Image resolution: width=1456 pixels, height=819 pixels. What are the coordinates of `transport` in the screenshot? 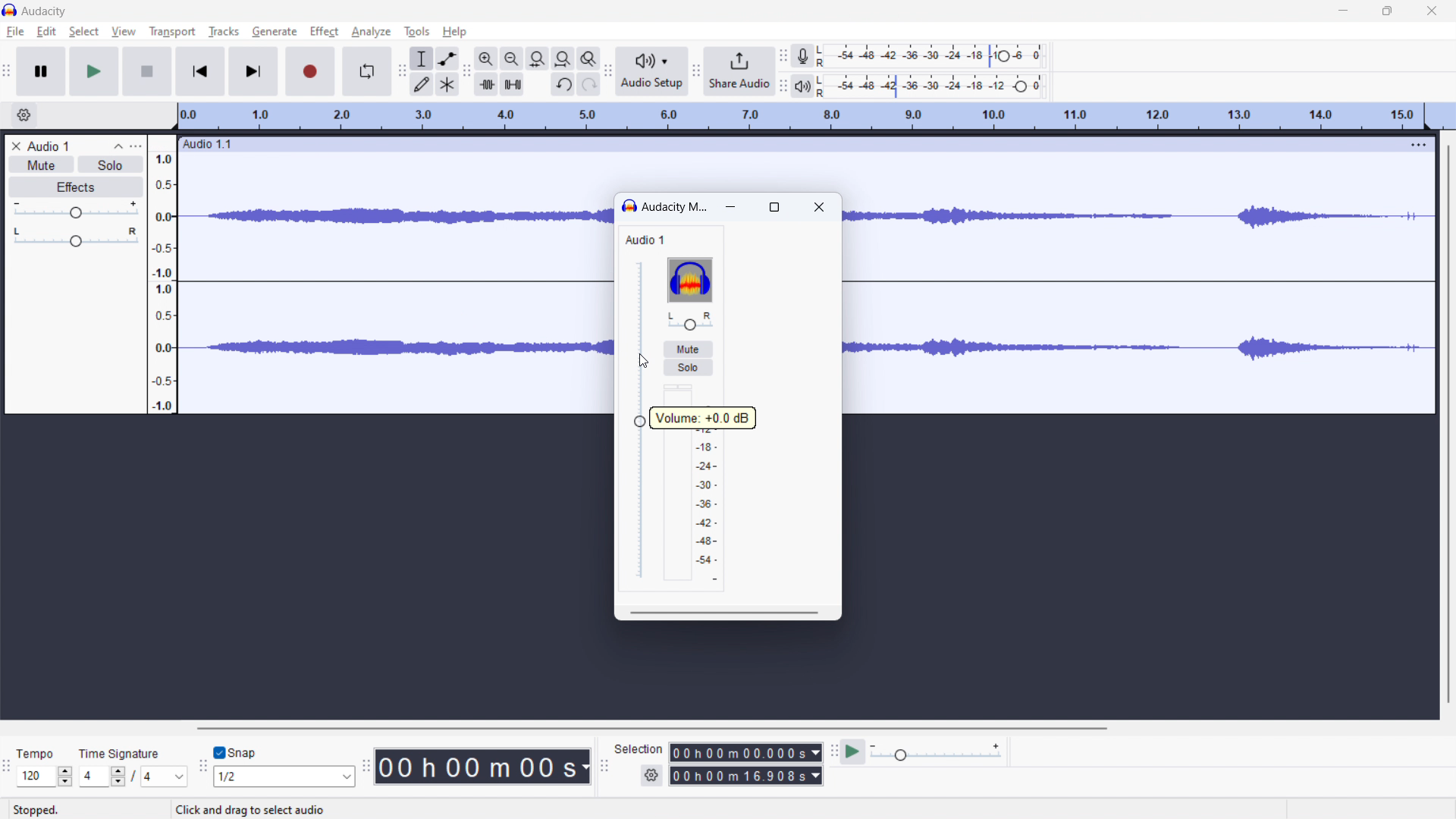 It's located at (172, 32).